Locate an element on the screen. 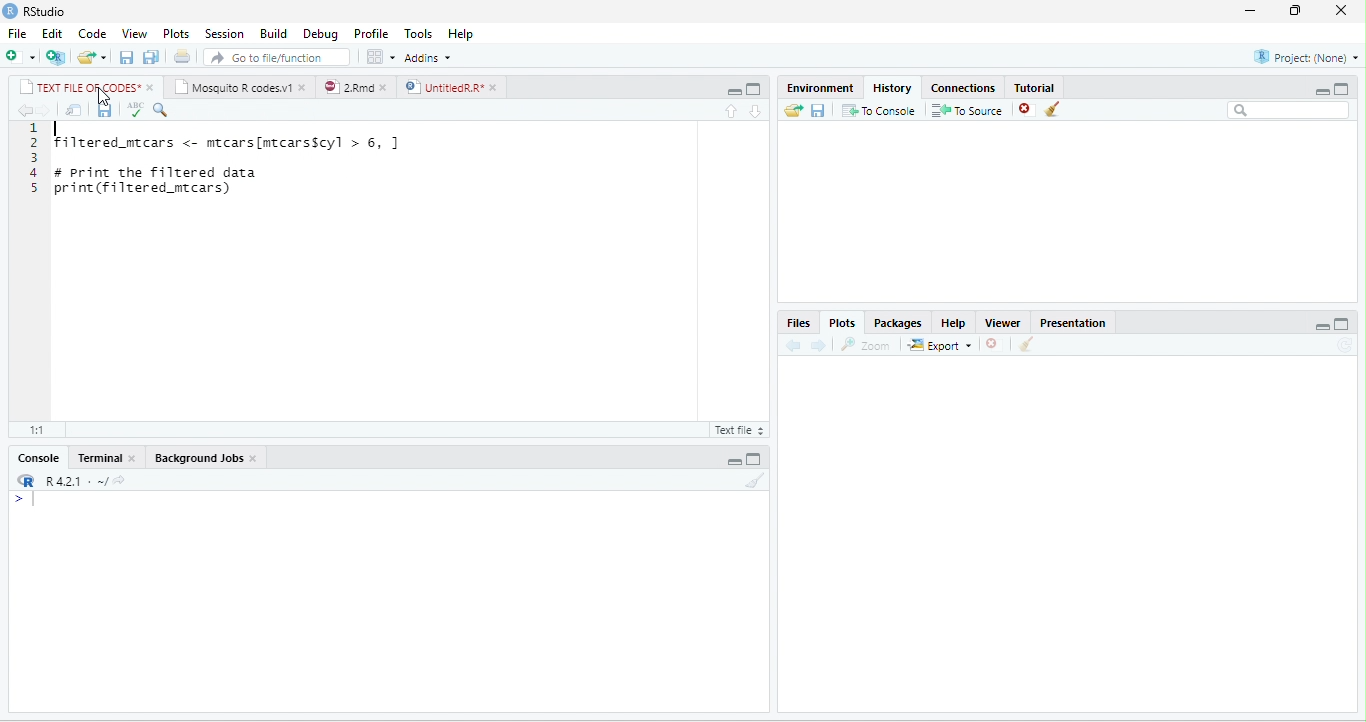  back is located at coordinates (26, 110).